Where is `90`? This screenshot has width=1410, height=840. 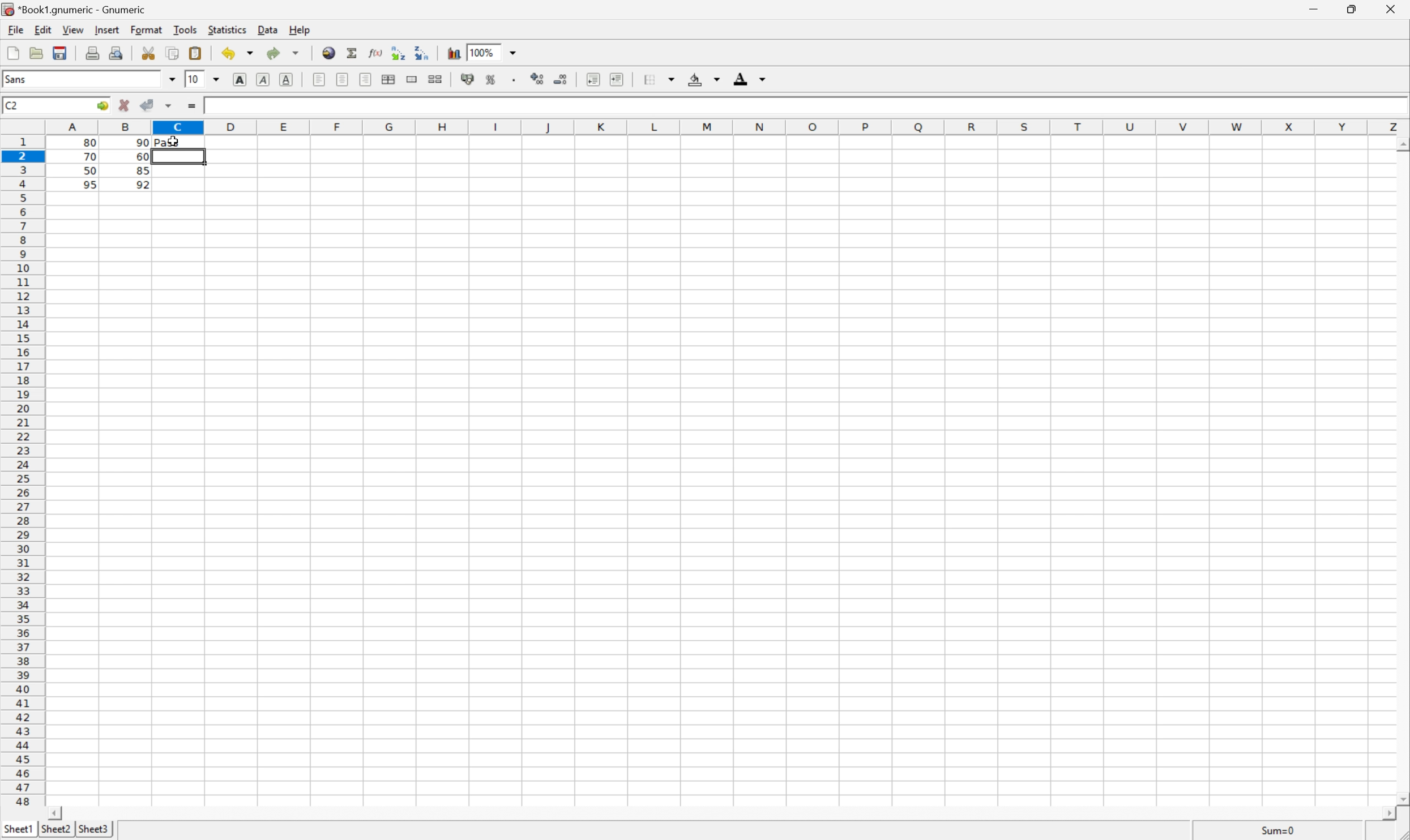
90 is located at coordinates (142, 143).